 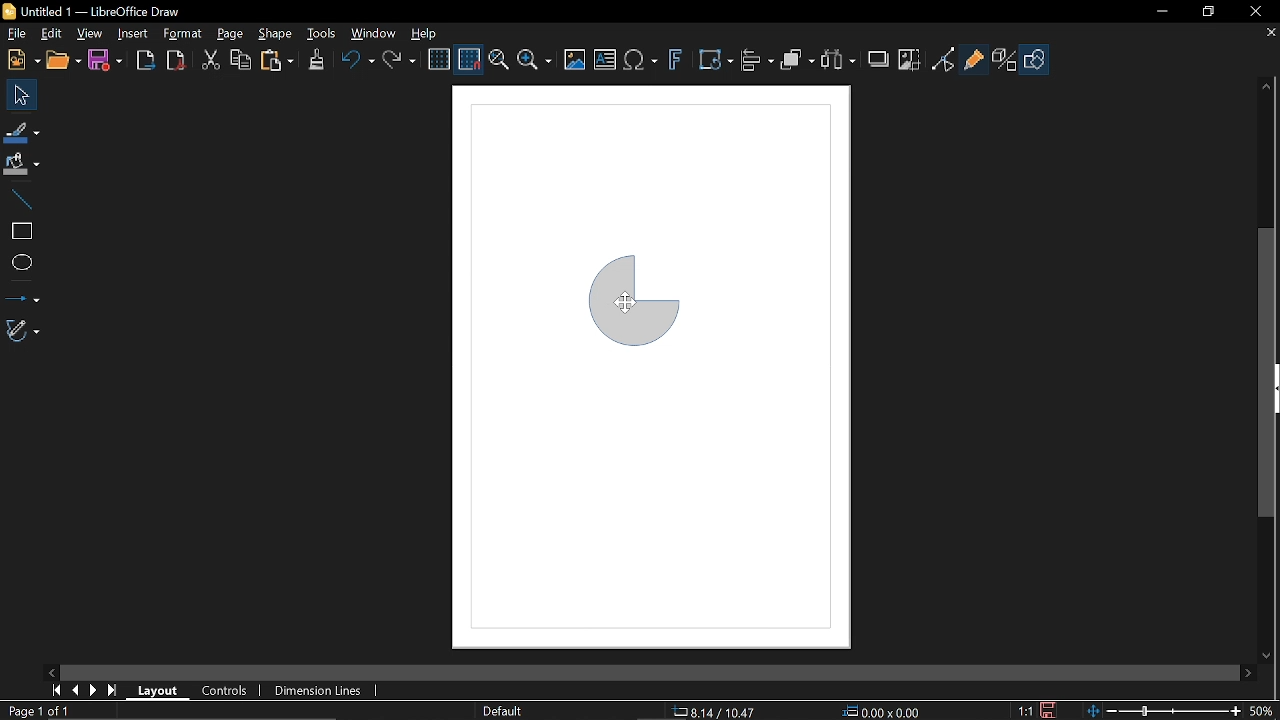 I want to click on Move right, so click(x=1250, y=672).